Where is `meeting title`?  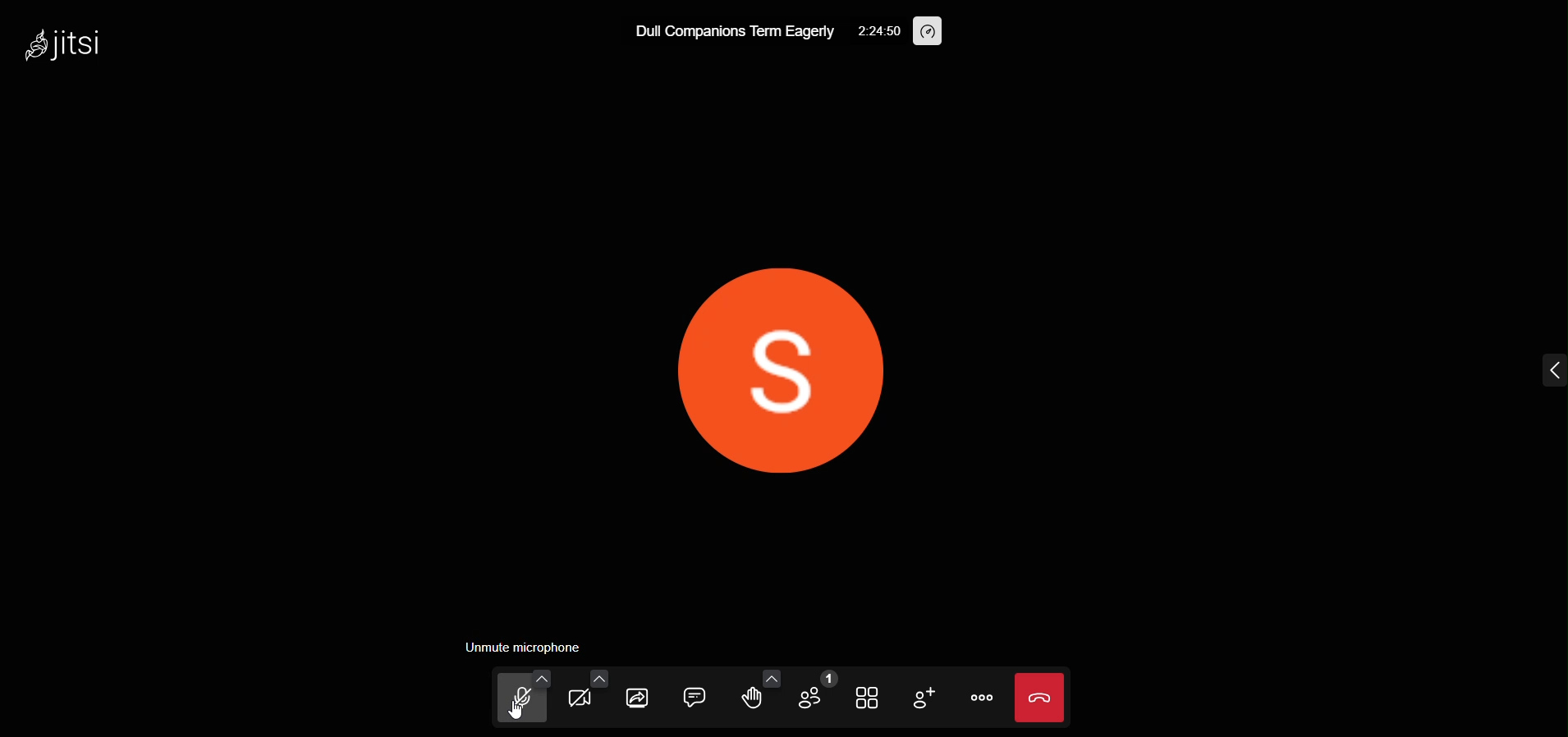
meeting title is located at coordinates (730, 31).